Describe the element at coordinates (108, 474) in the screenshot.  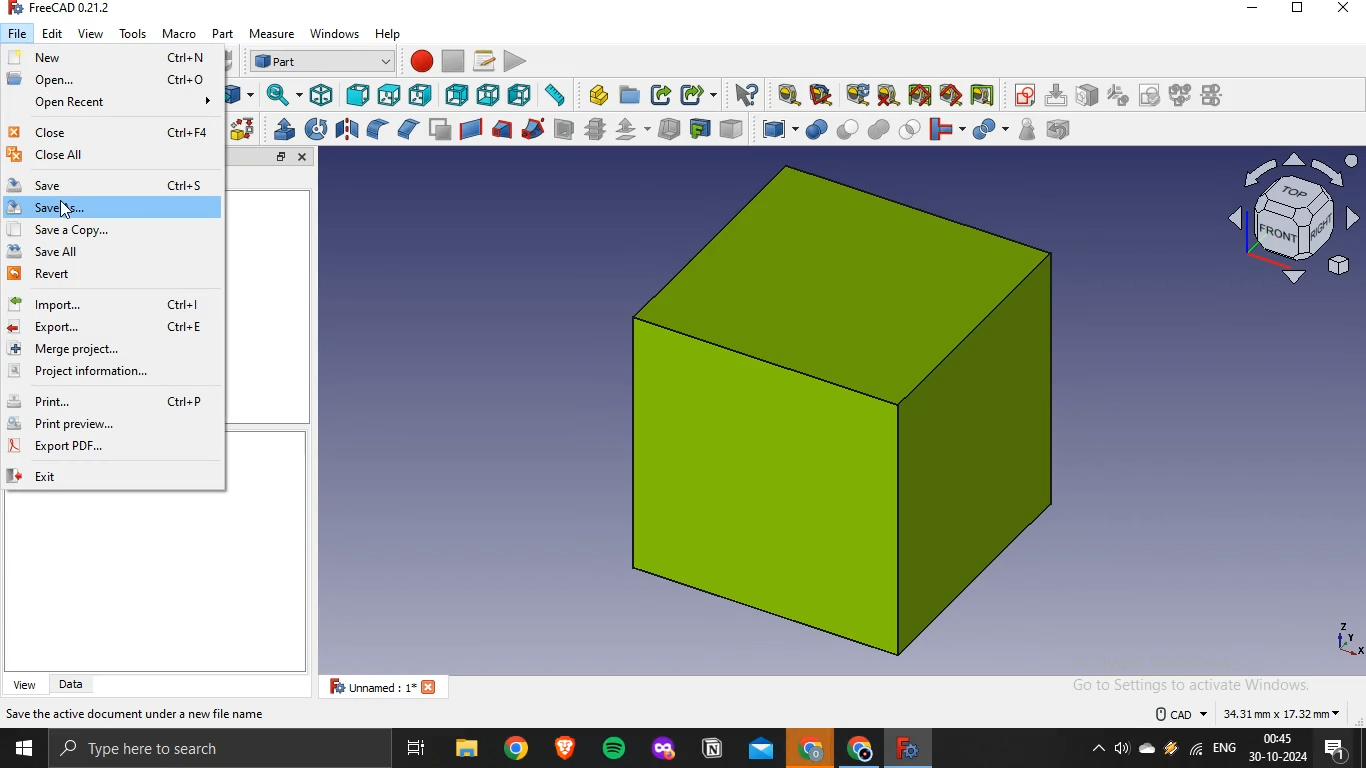
I see `exit` at that location.